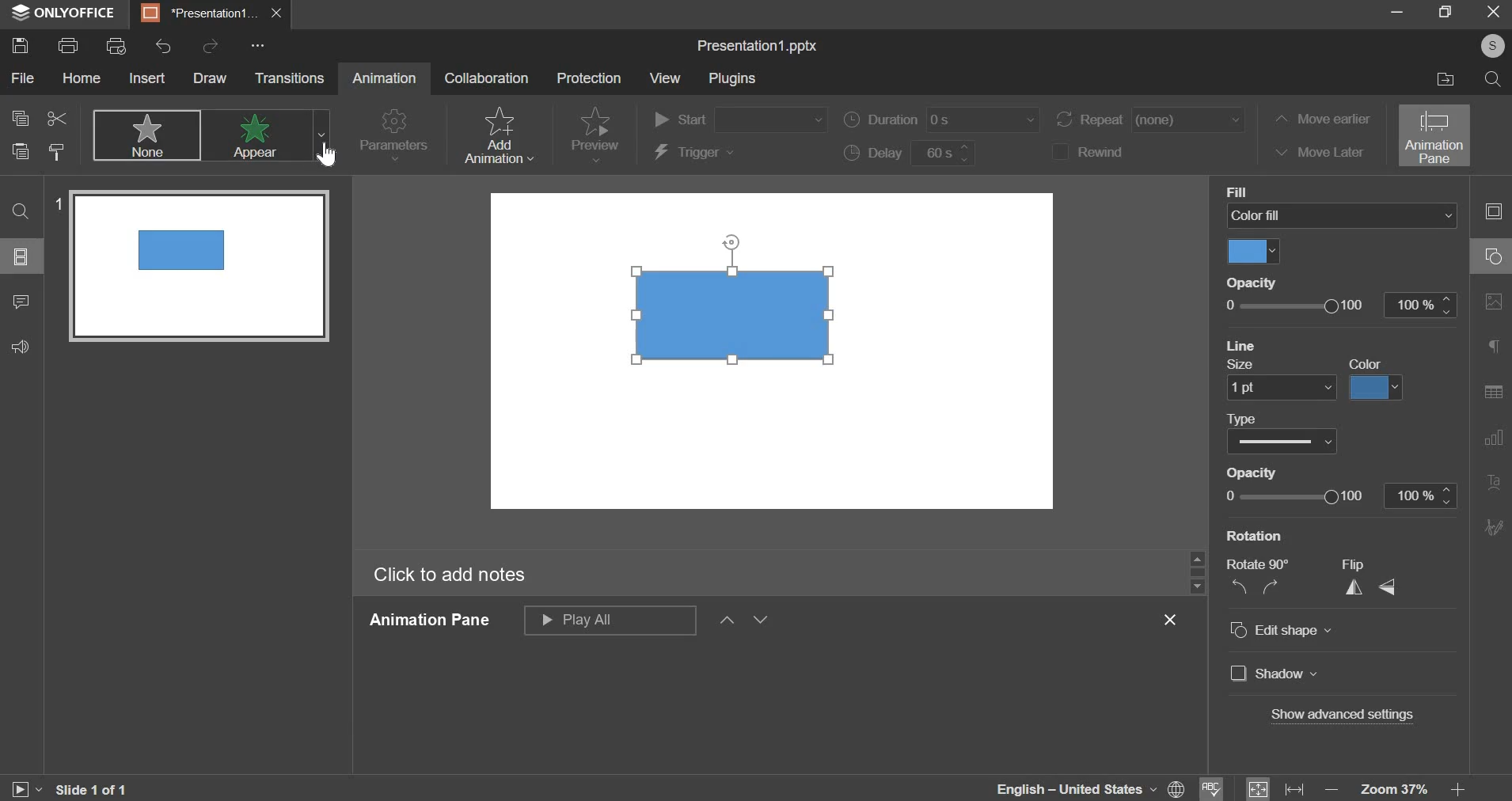 The image size is (1512, 801). What do you see at coordinates (1493, 301) in the screenshot?
I see `Background Settings` at bounding box center [1493, 301].